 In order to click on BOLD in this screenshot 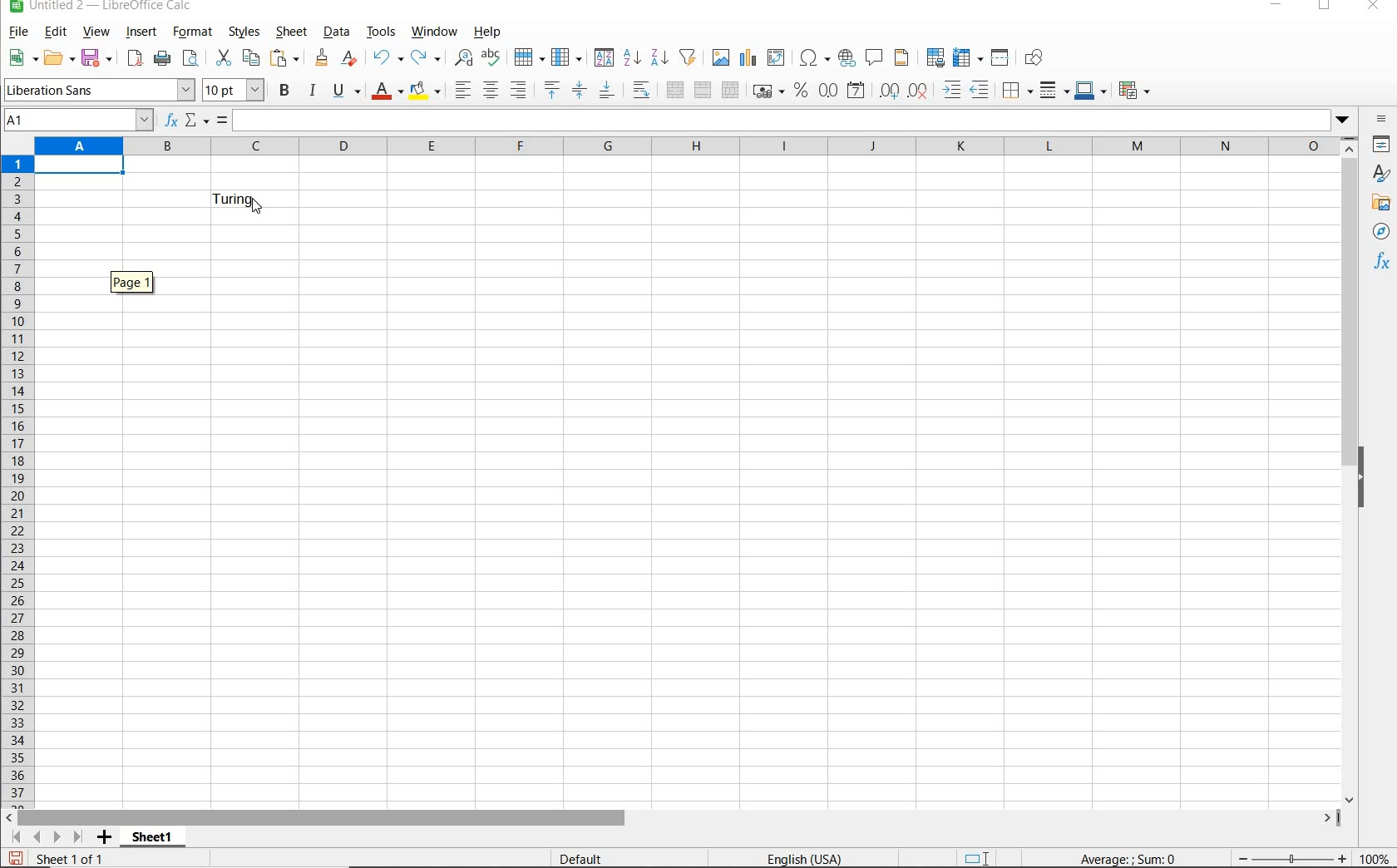, I will do `click(287, 89)`.